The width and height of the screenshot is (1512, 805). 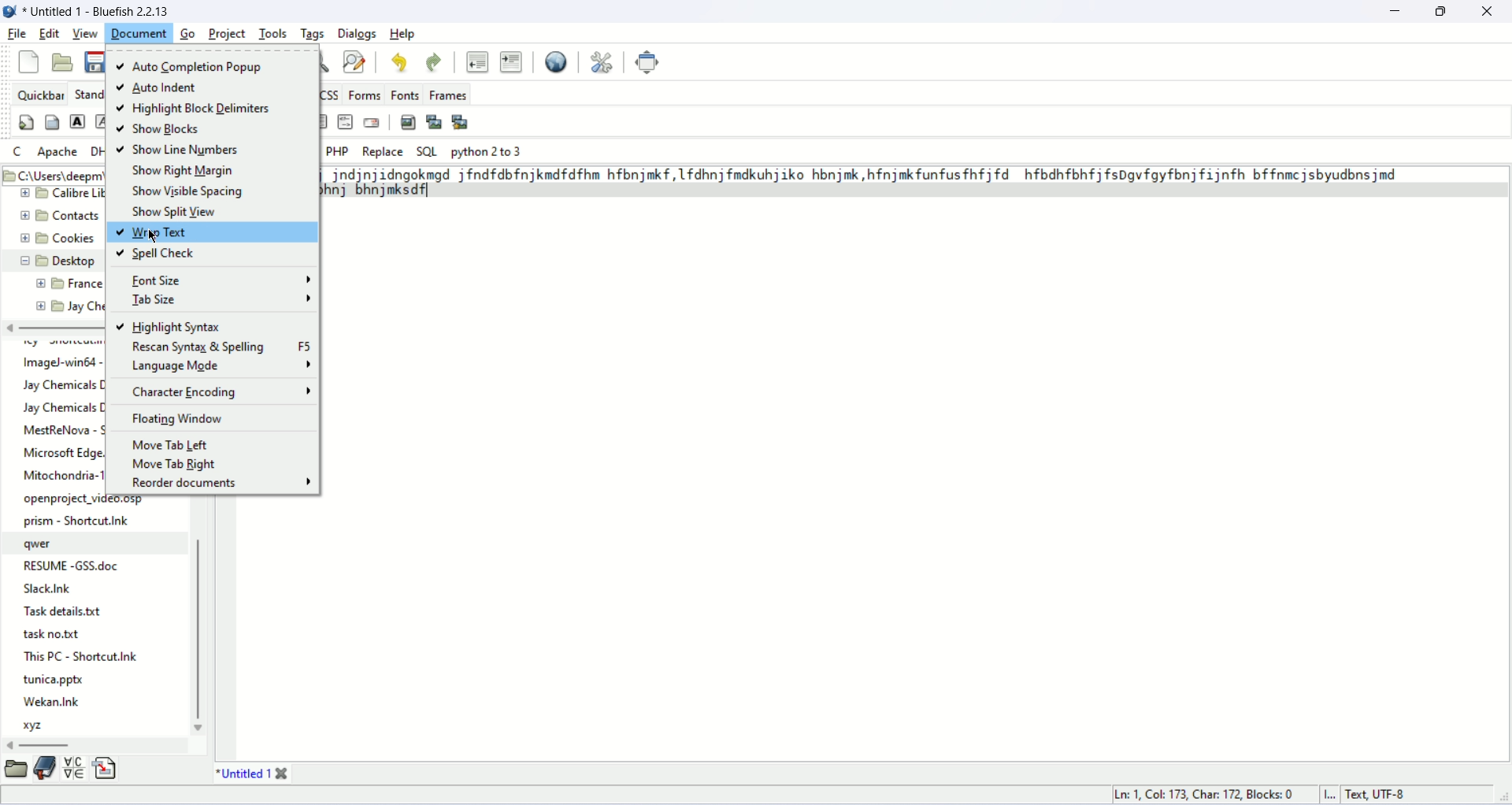 What do you see at coordinates (38, 94) in the screenshot?
I see `quickbar` at bounding box center [38, 94].